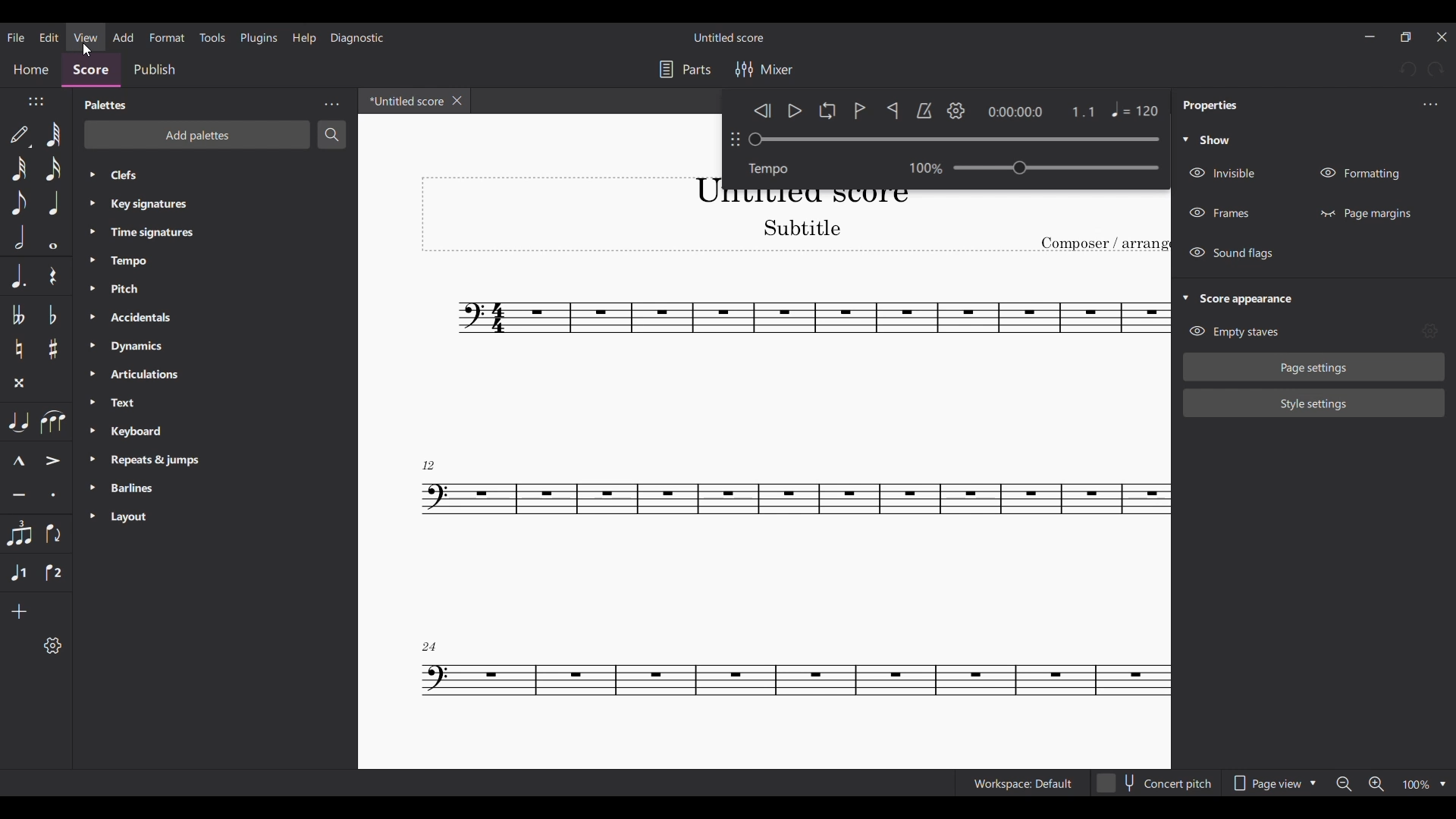 This screenshot has width=1456, height=819. I want to click on Move position of toolbar, so click(36, 101).